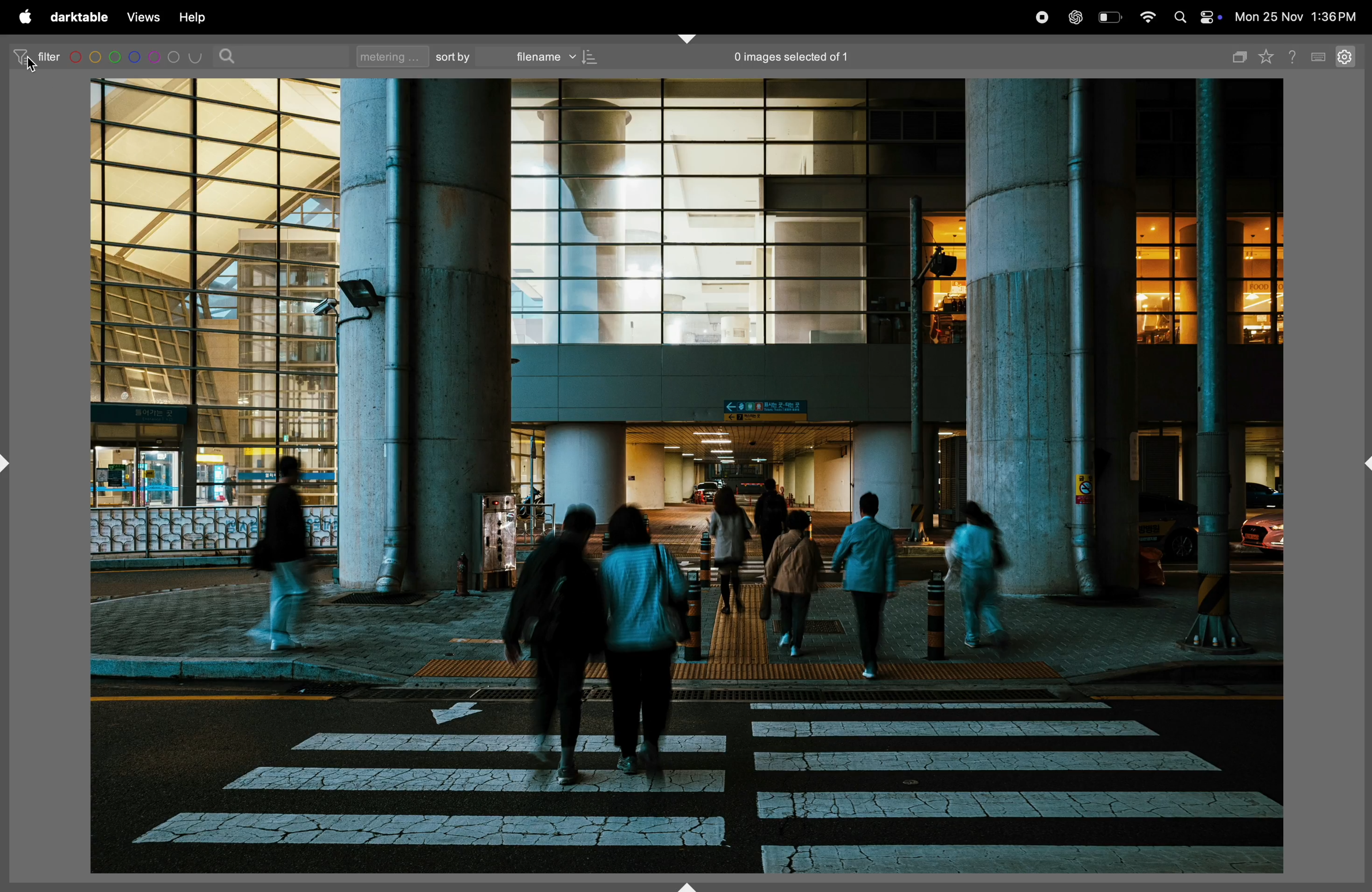  What do you see at coordinates (79, 17) in the screenshot?
I see `darktable menu` at bounding box center [79, 17].